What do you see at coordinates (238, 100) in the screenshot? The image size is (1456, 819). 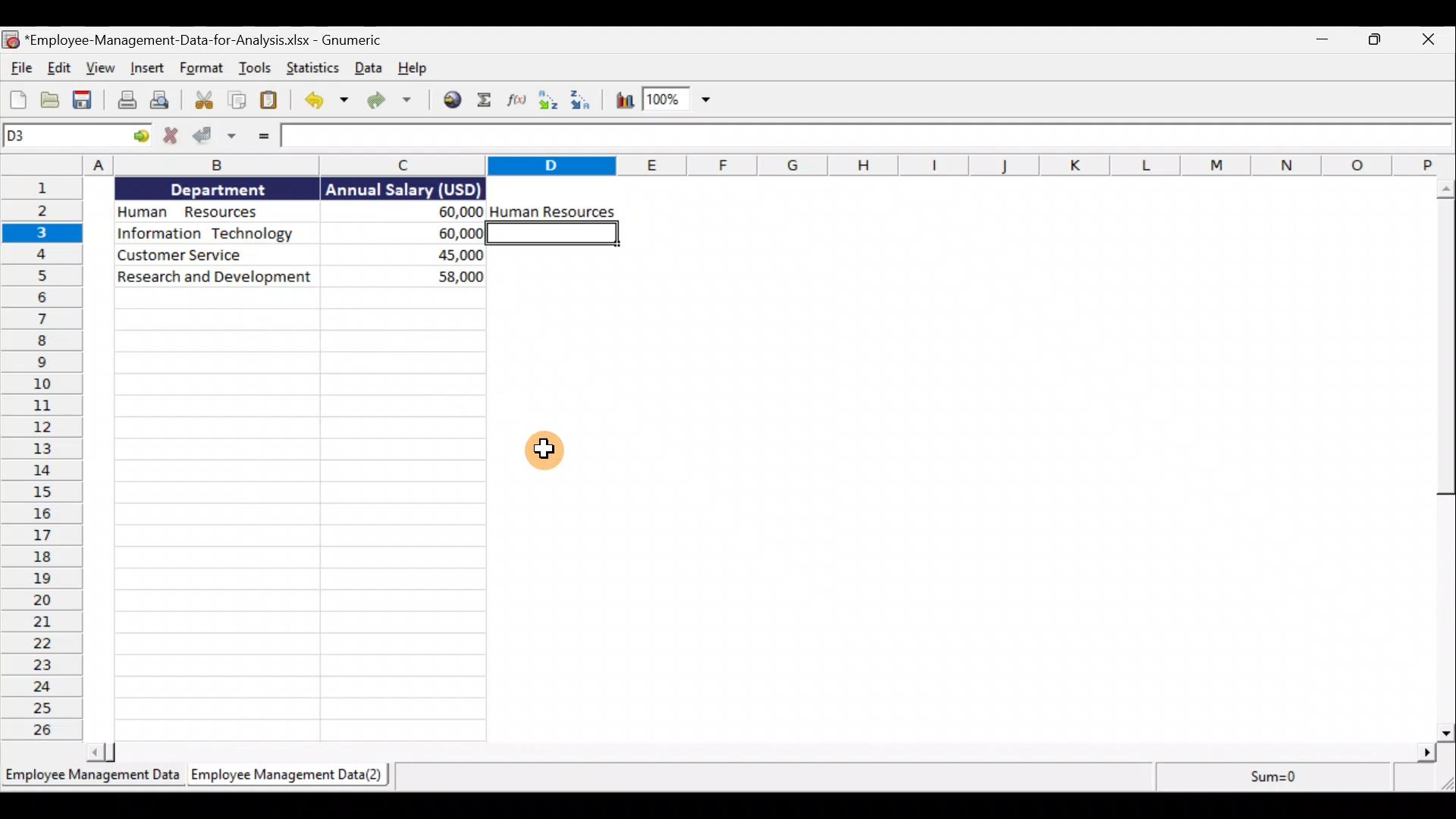 I see `Copy the selection` at bounding box center [238, 100].